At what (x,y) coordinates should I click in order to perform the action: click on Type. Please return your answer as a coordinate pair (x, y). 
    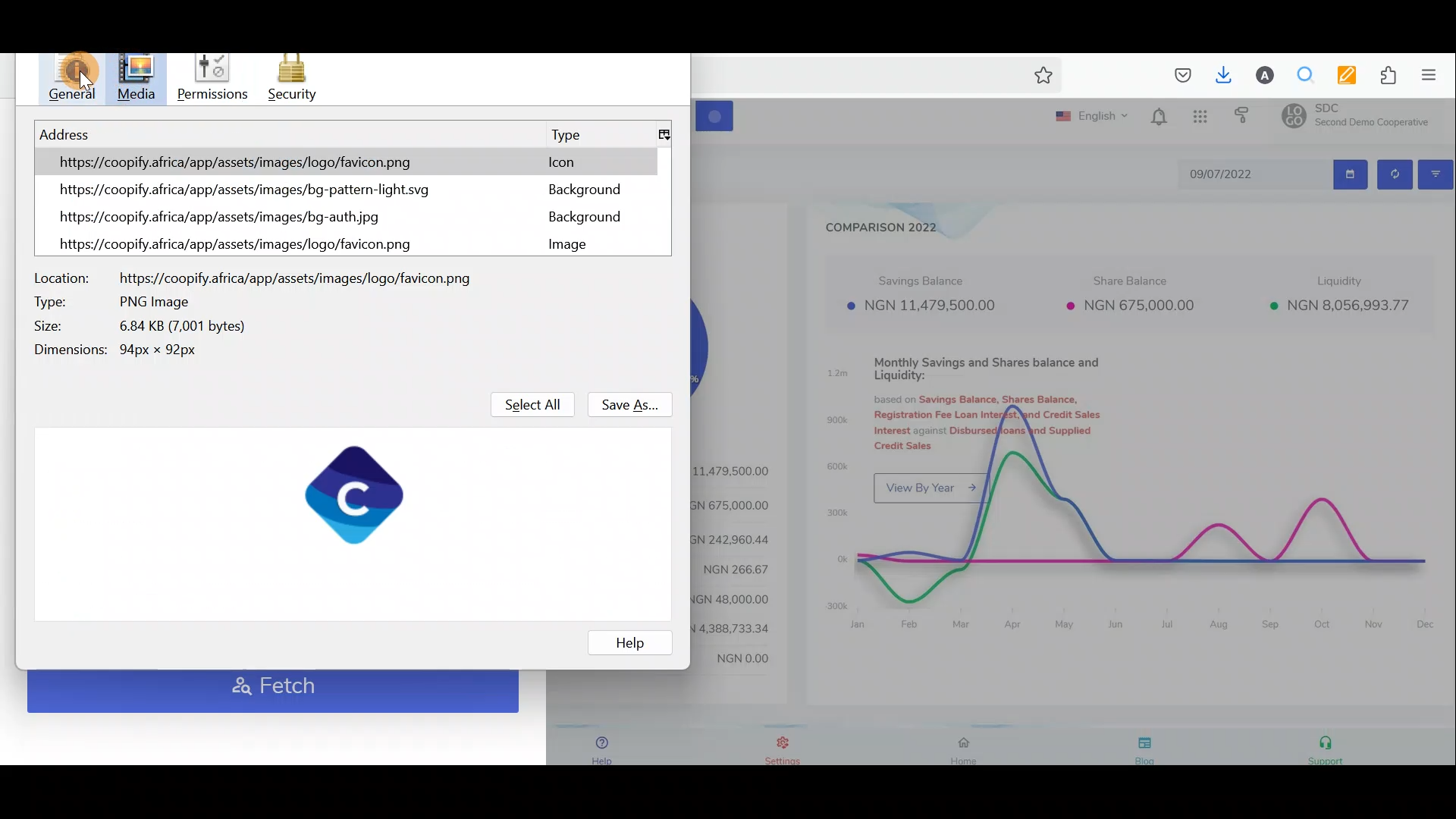
    Looking at the image, I should click on (566, 134).